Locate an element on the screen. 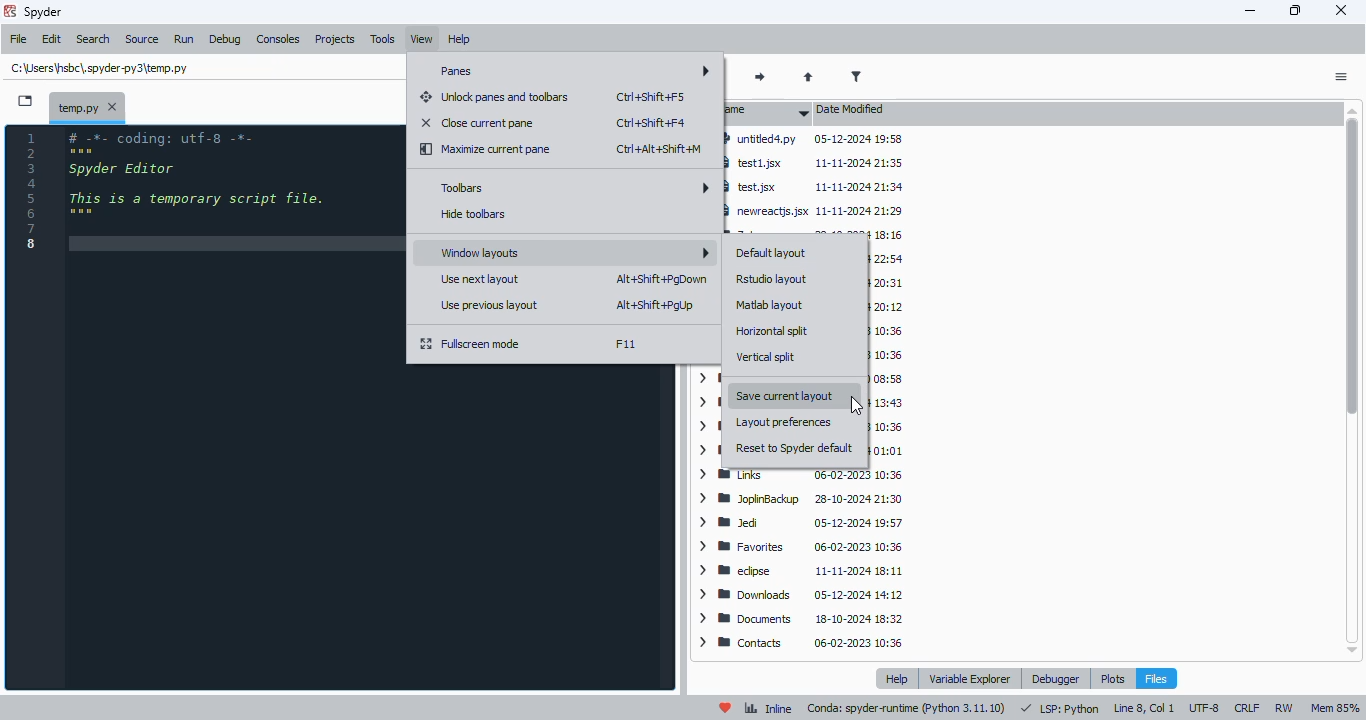 The image size is (1366, 720). debug is located at coordinates (226, 40).